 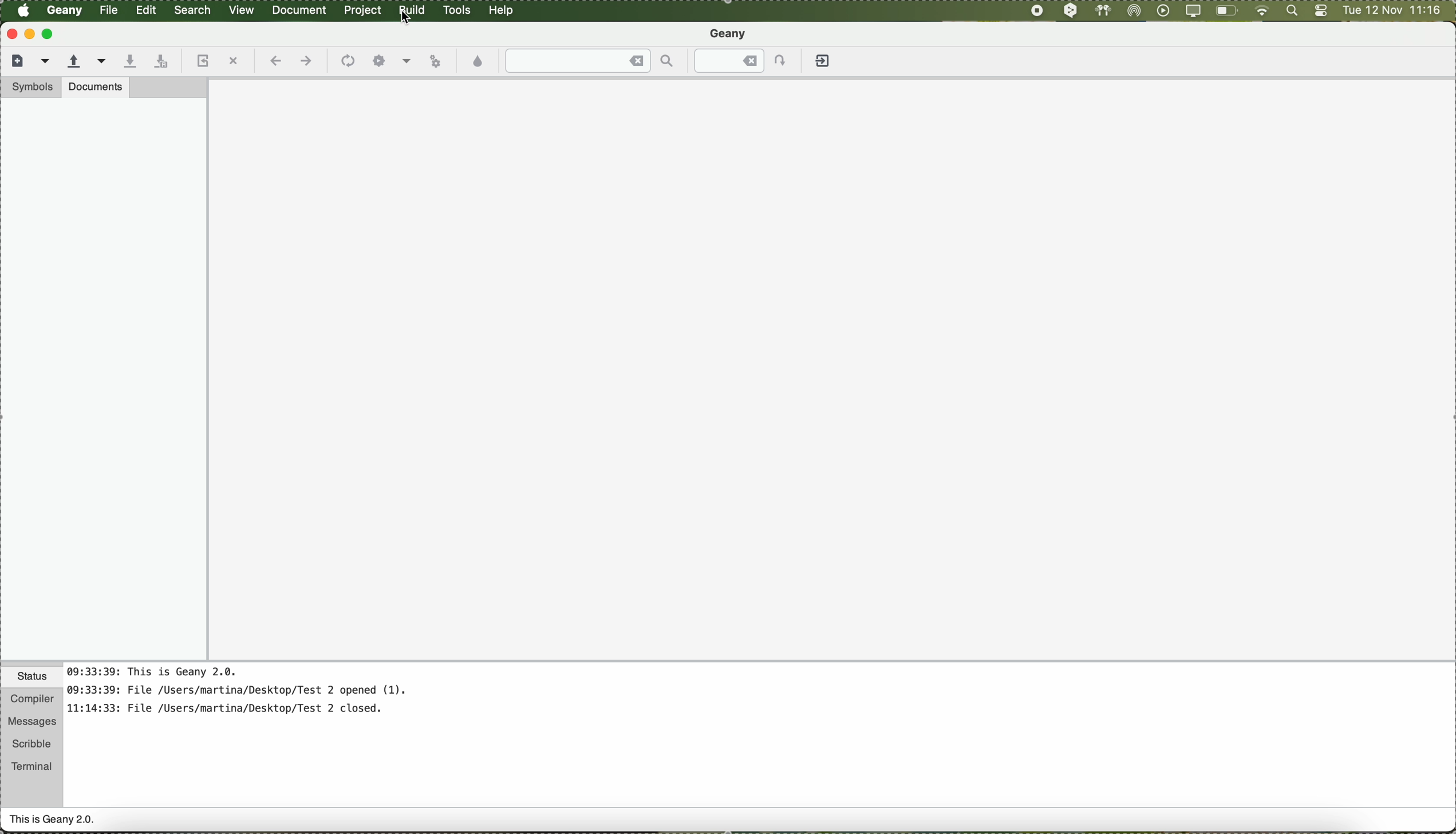 What do you see at coordinates (502, 10) in the screenshot?
I see `help` at bounding box center [502, 10].